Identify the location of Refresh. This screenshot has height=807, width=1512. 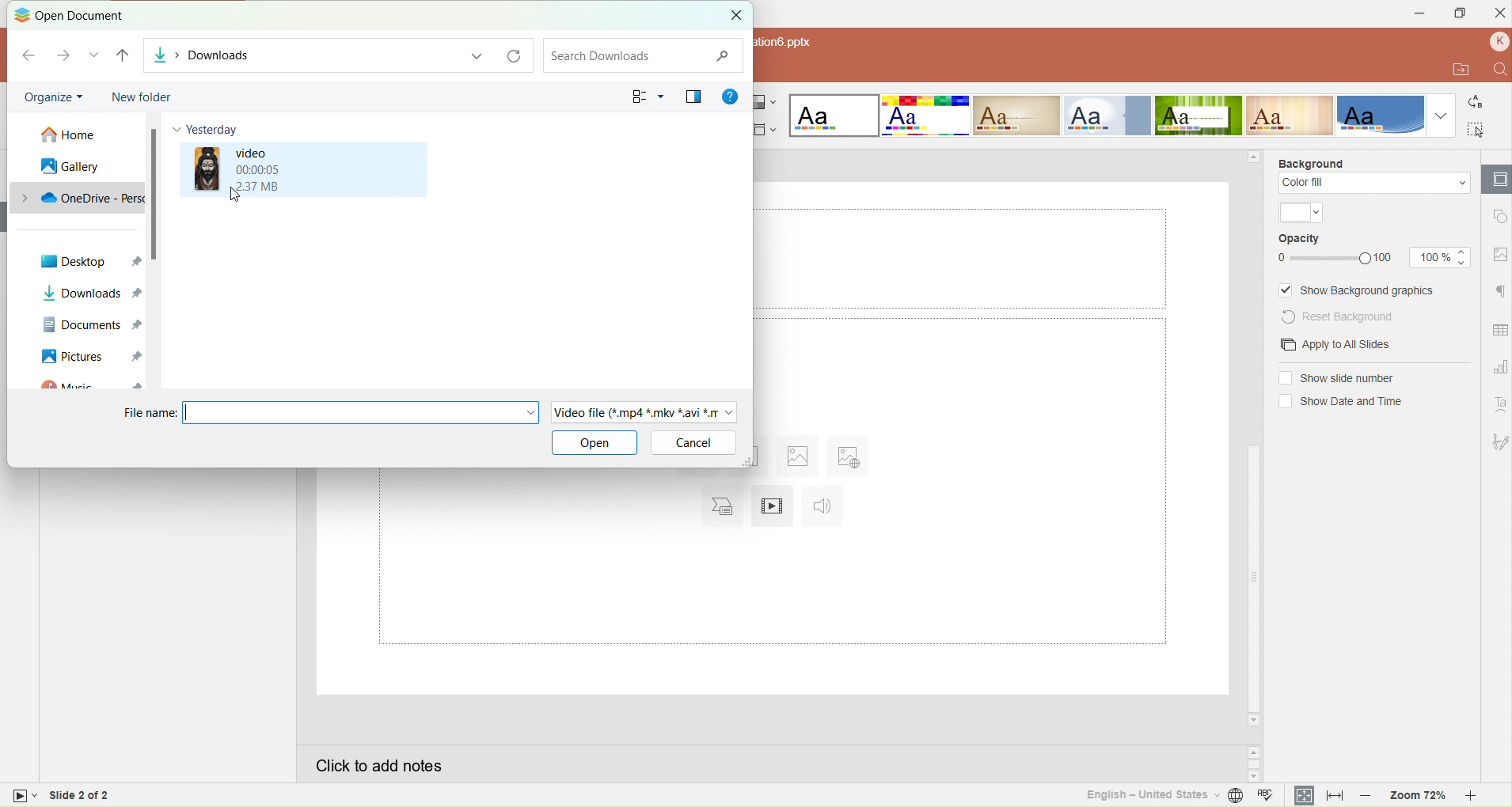
(515, 55).